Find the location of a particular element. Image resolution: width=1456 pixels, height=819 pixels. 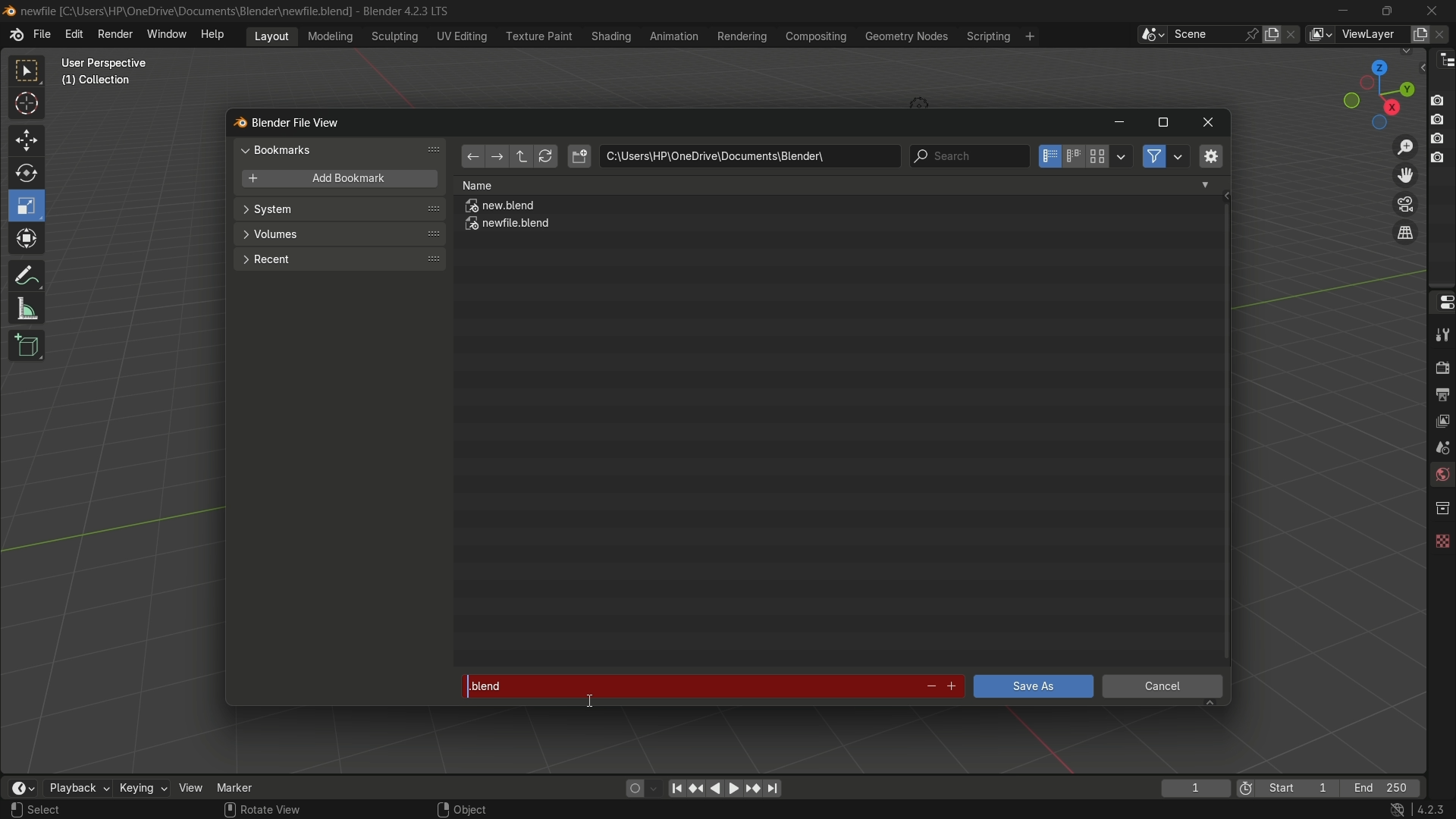

C:\User:\\HP\Onedrive\Documents\Blender is located at coordinates (187, 11).